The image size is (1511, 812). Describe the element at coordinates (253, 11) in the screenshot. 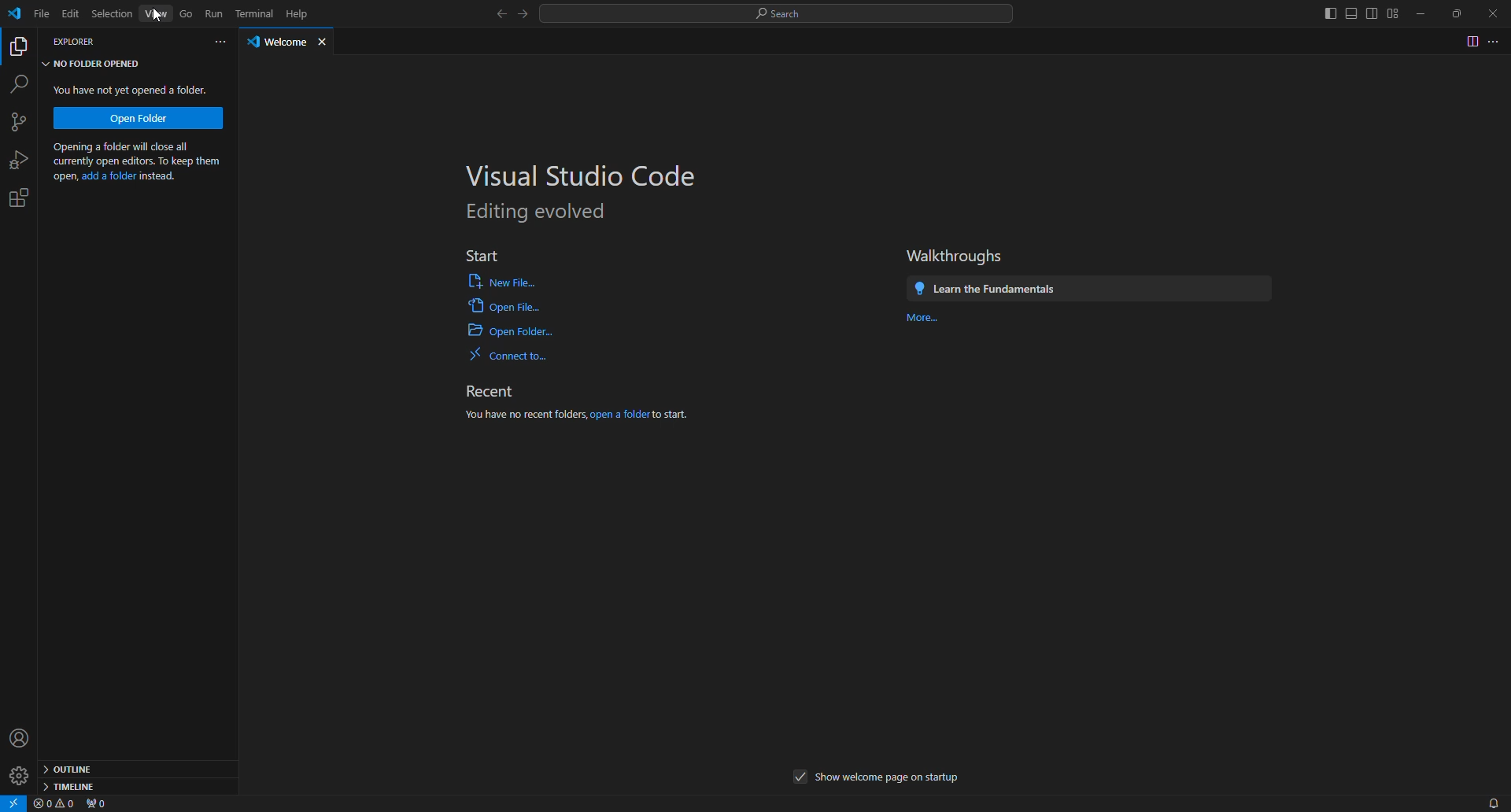

I see `Terminal` at that location.